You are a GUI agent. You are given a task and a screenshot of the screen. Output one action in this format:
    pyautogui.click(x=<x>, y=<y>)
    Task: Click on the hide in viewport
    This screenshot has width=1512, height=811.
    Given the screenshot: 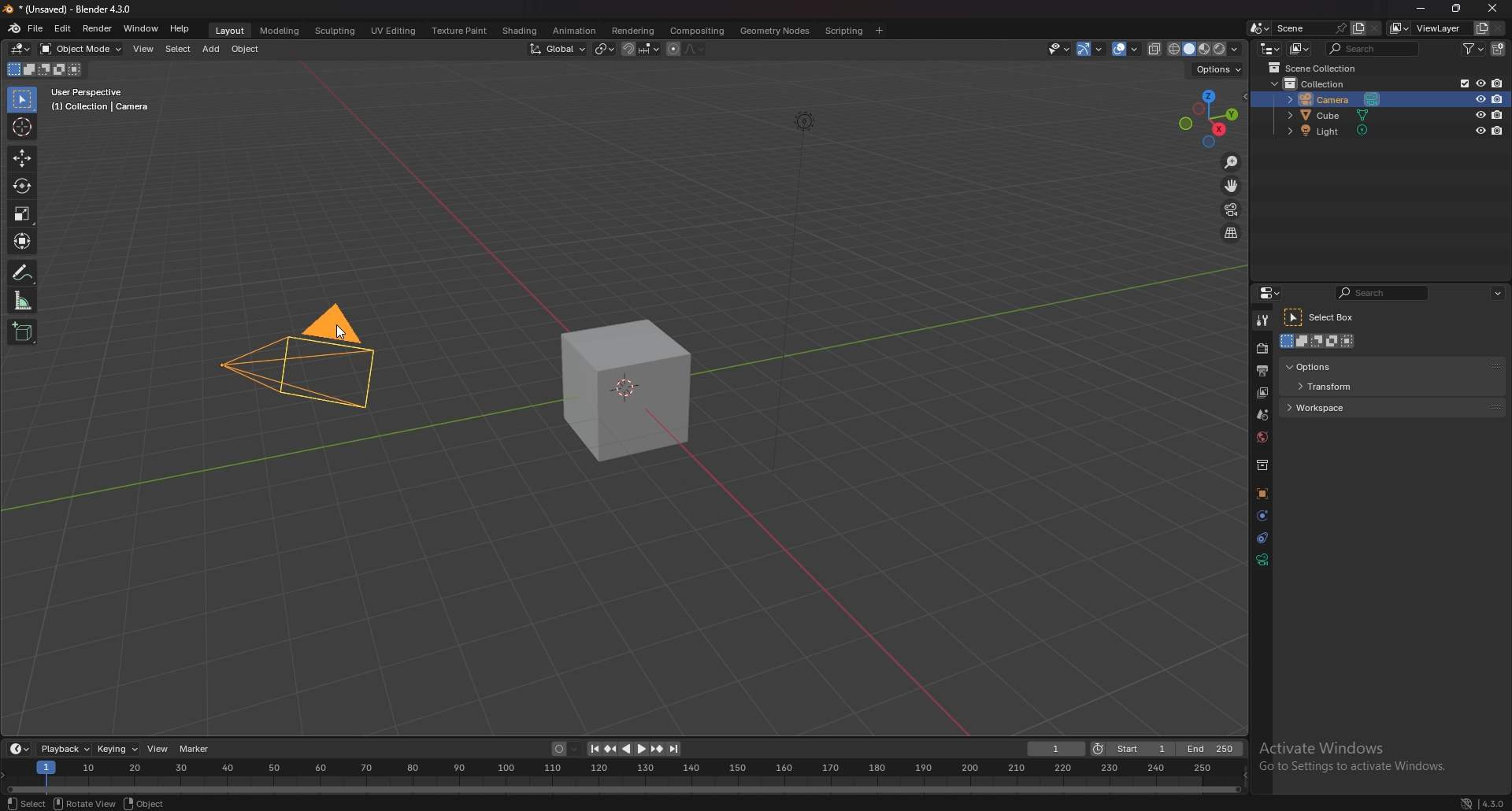 What is the action you would take?
    pyautogui.click(x=1480, y=114)
    